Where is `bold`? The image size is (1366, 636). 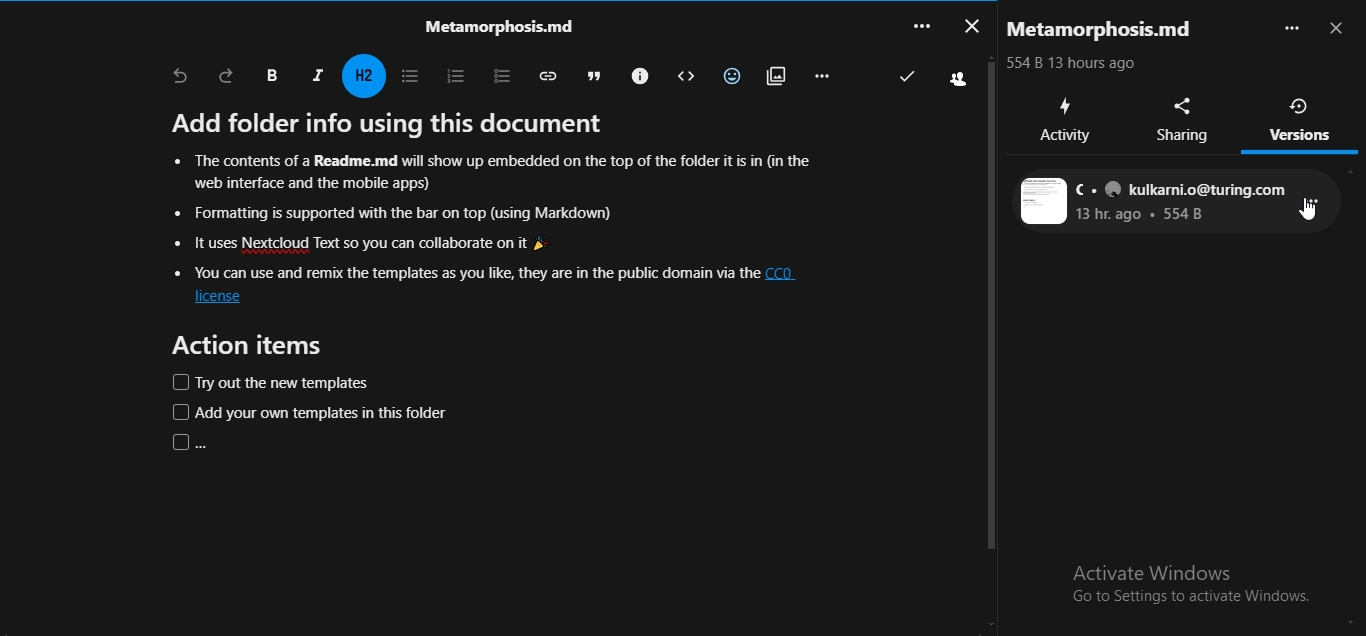
bold is located at coordinates (271, 76).